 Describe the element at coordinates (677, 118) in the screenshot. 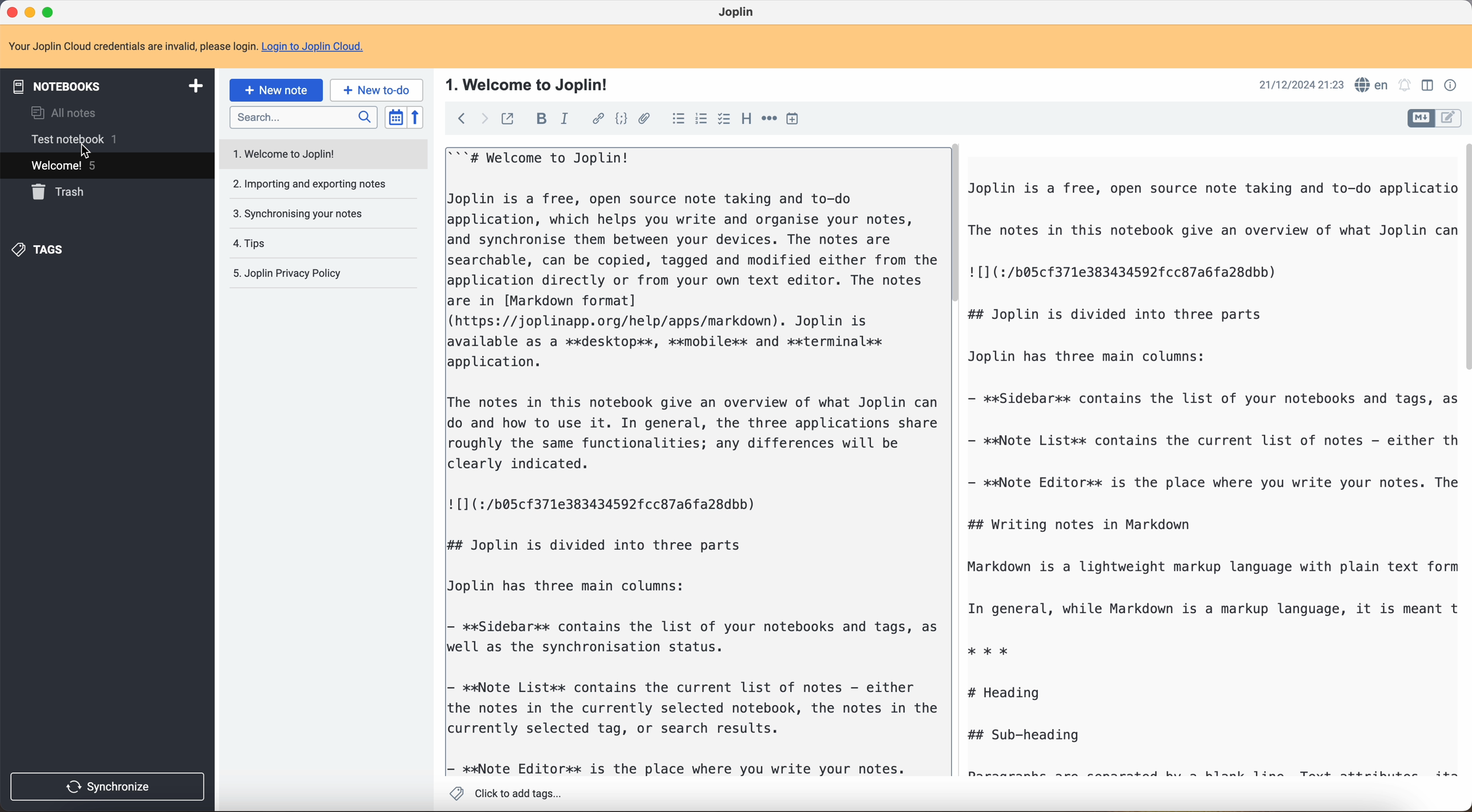

I see `bulleted list` at that location.